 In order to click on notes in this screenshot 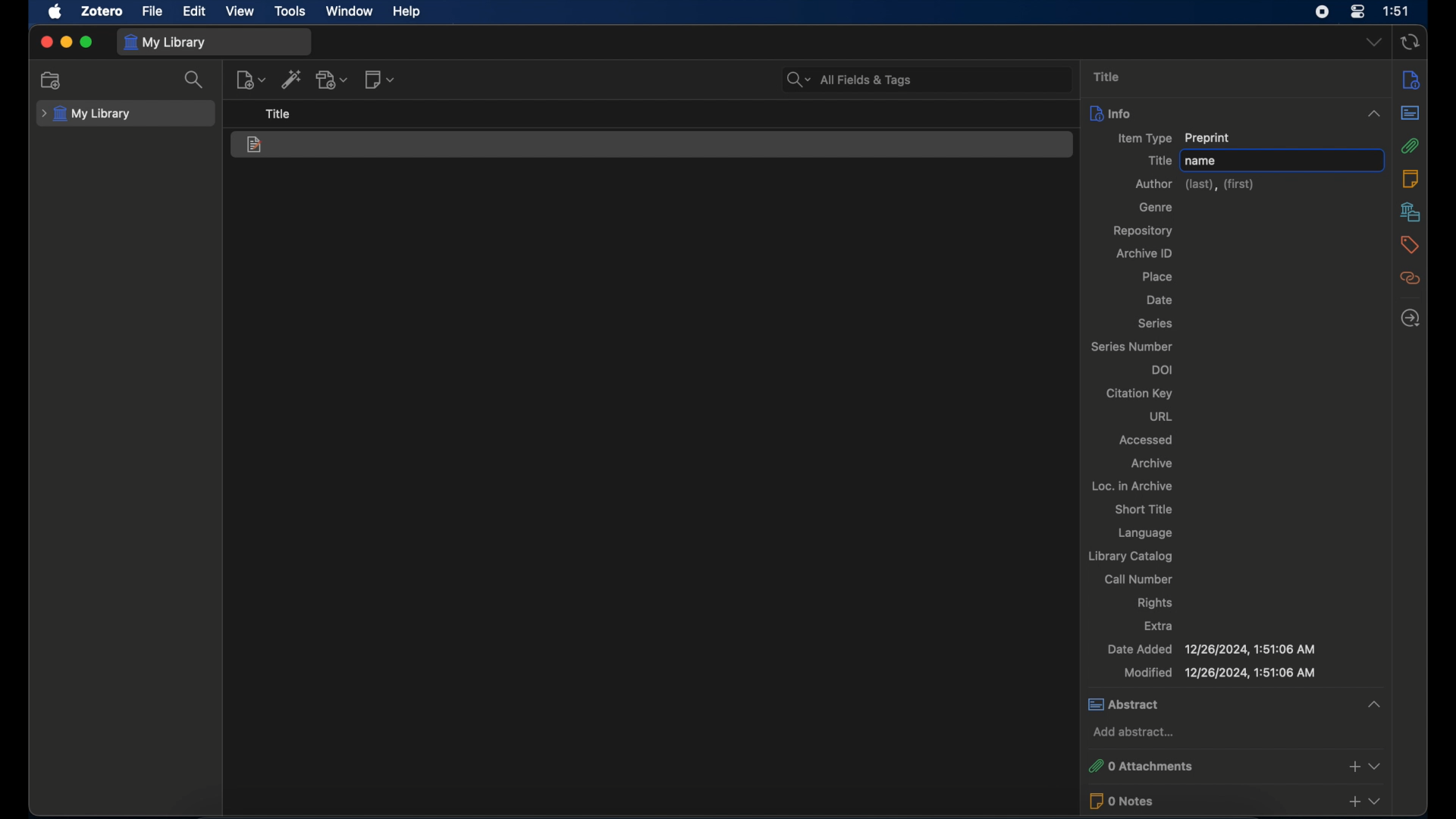, I will do `click(1411, 178)`.